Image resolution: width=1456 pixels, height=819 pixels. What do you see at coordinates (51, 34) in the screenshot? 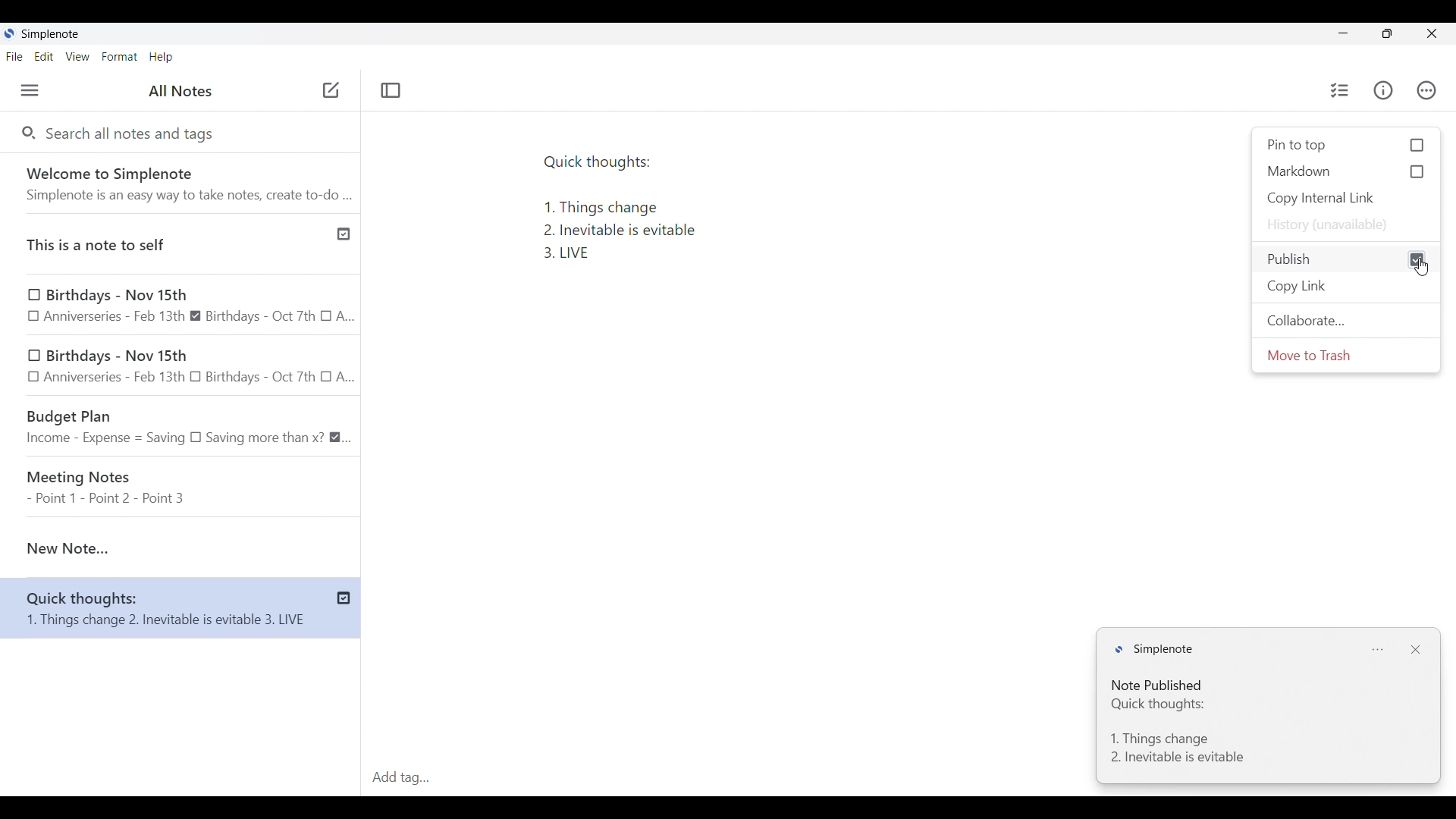
I see `Software name` at bounding box center [51, 34].